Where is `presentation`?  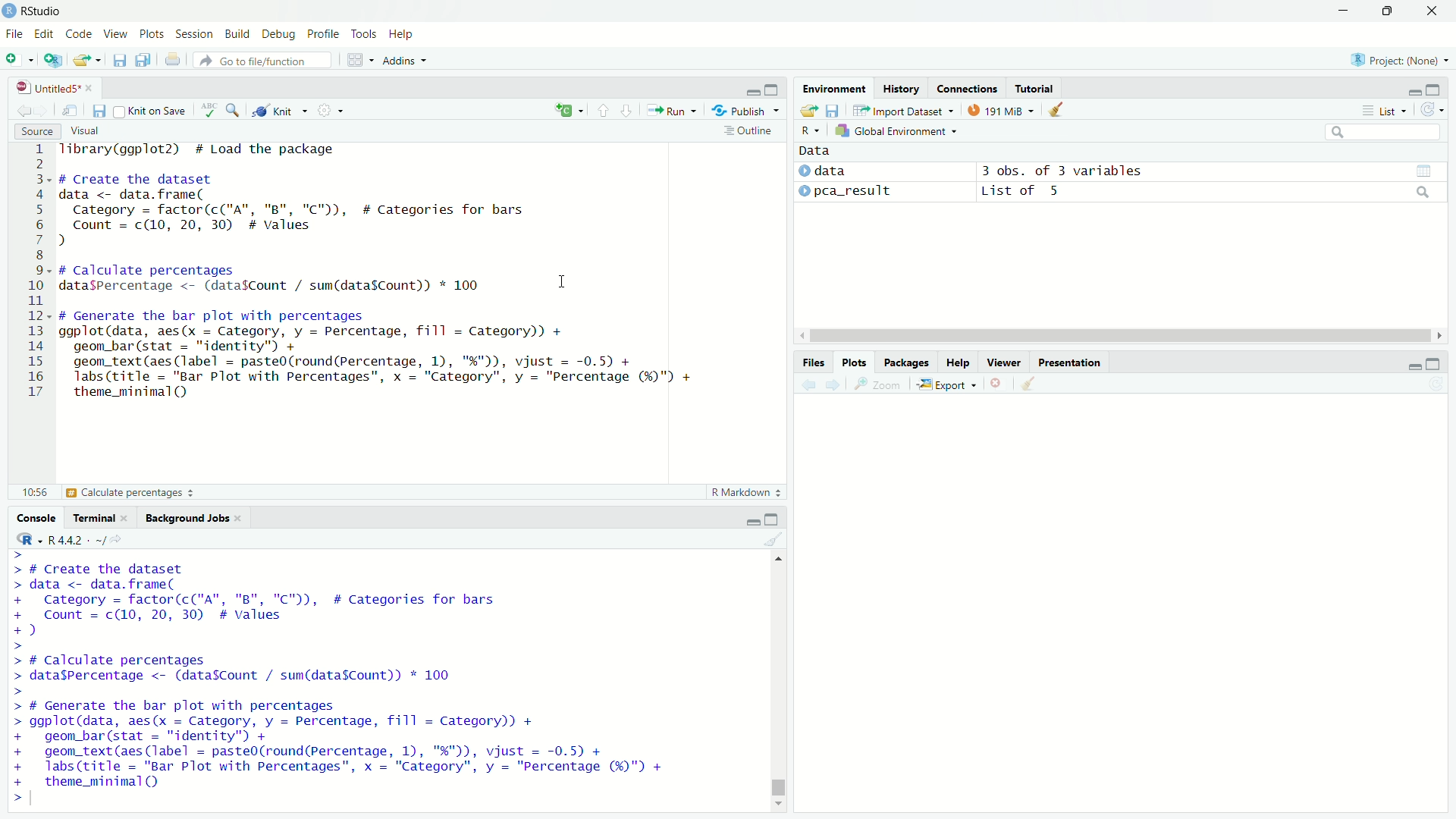
presentation is located at coordinates (1071, 362).